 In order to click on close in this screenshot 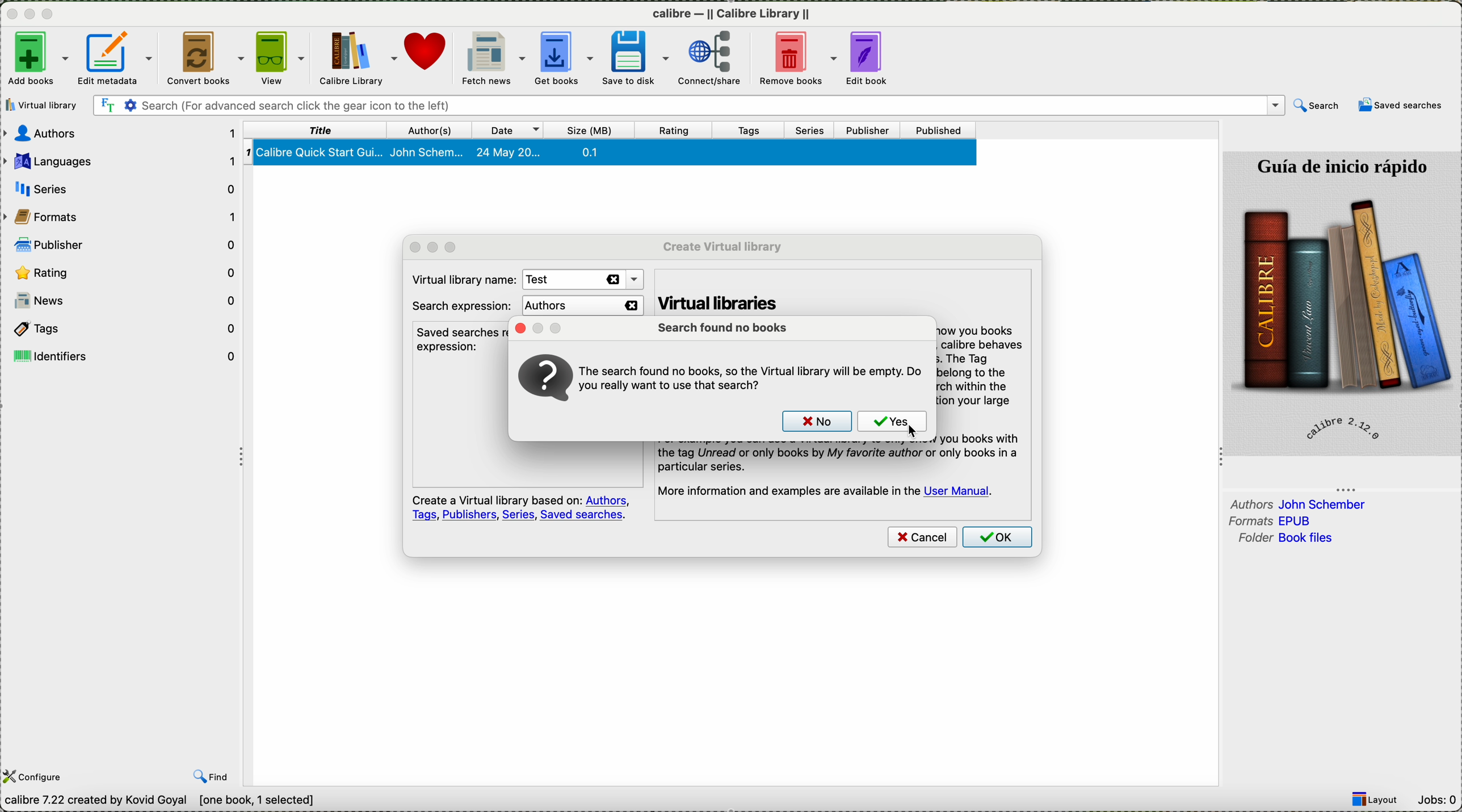, I will do `click(518, 329)`.